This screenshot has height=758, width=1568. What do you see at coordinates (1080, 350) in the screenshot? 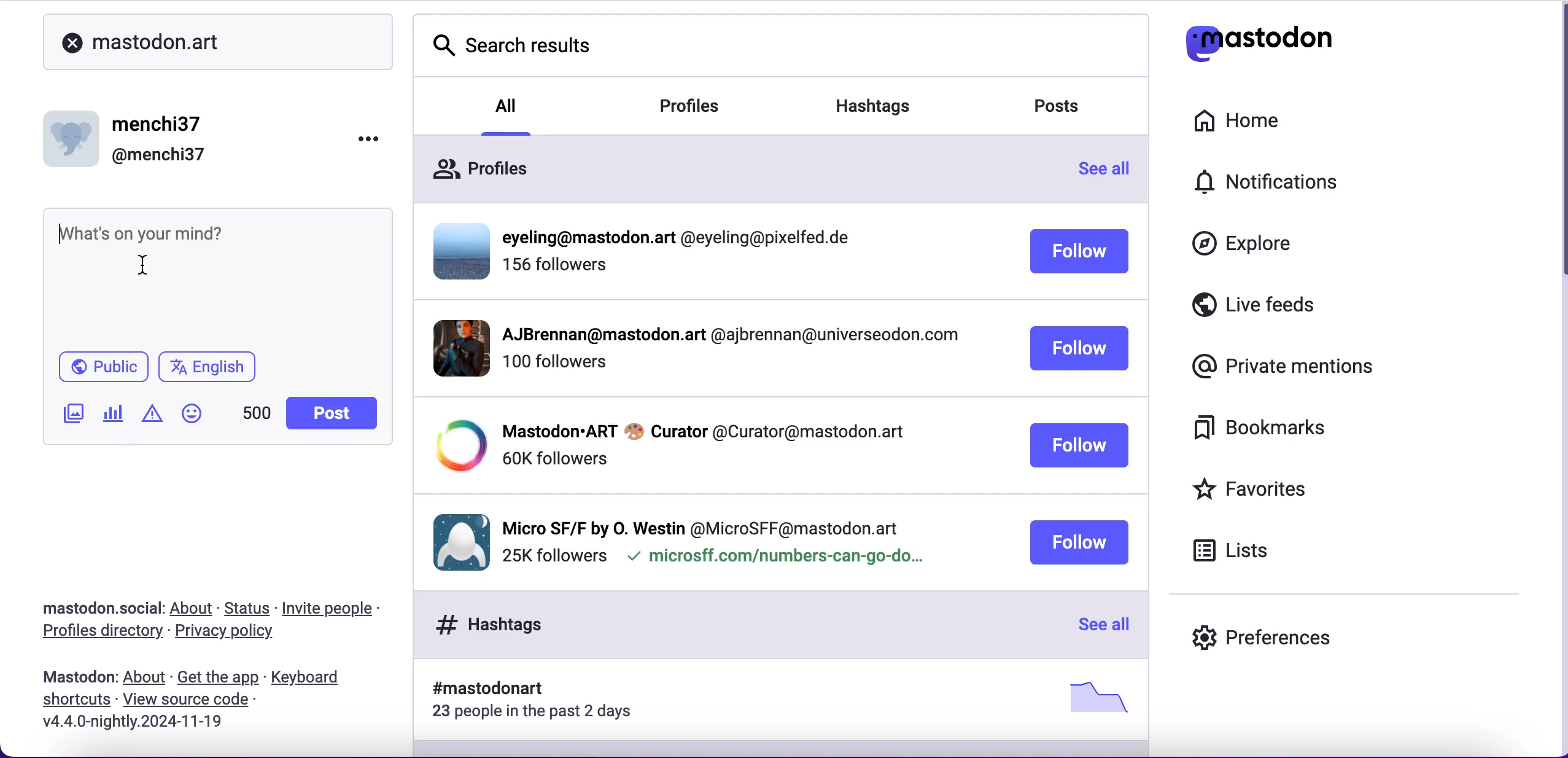
I see `follow` at bounding box center [1080, 350].